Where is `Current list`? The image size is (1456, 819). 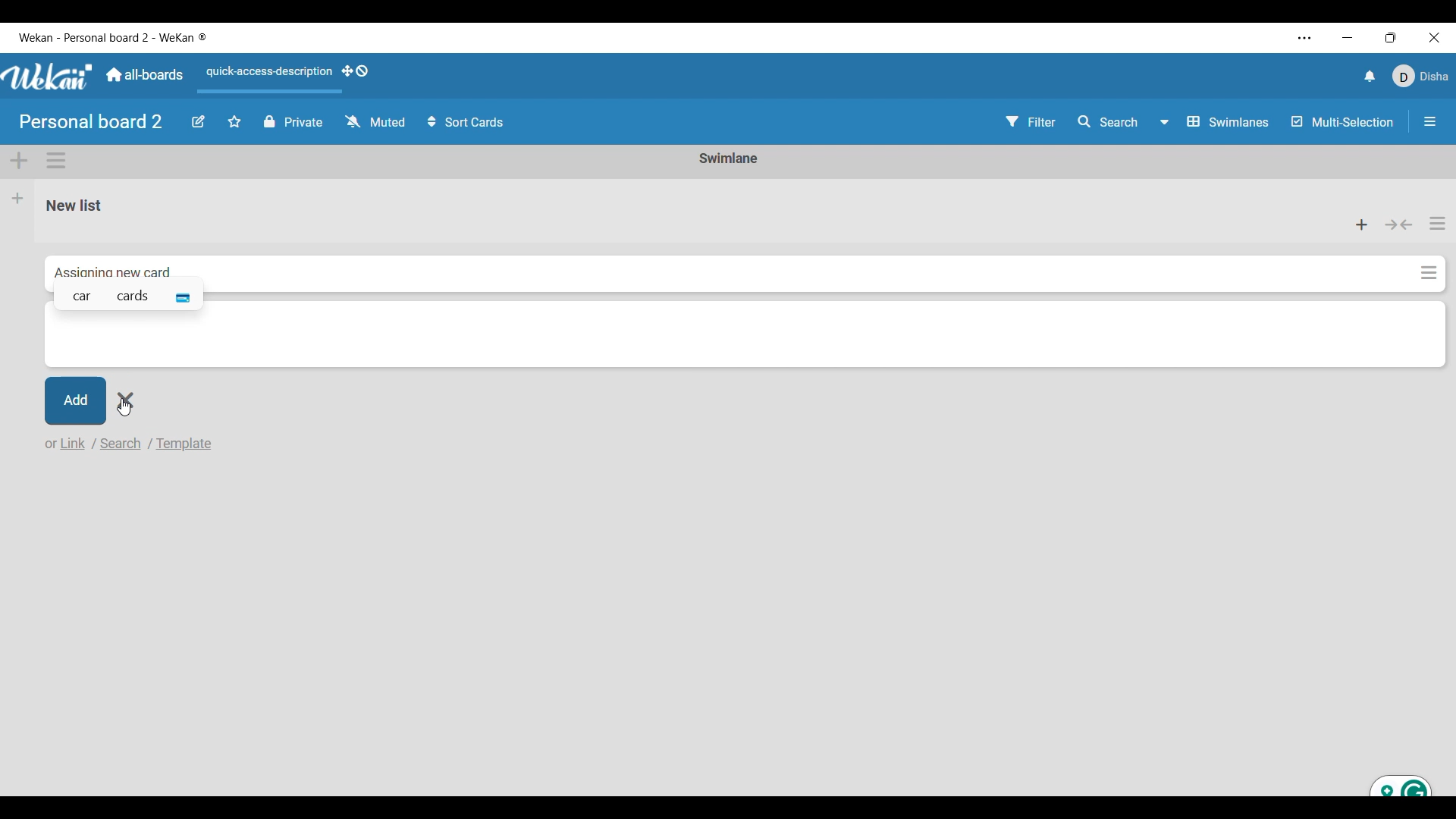
Current list is located at coordinates (677, 204).